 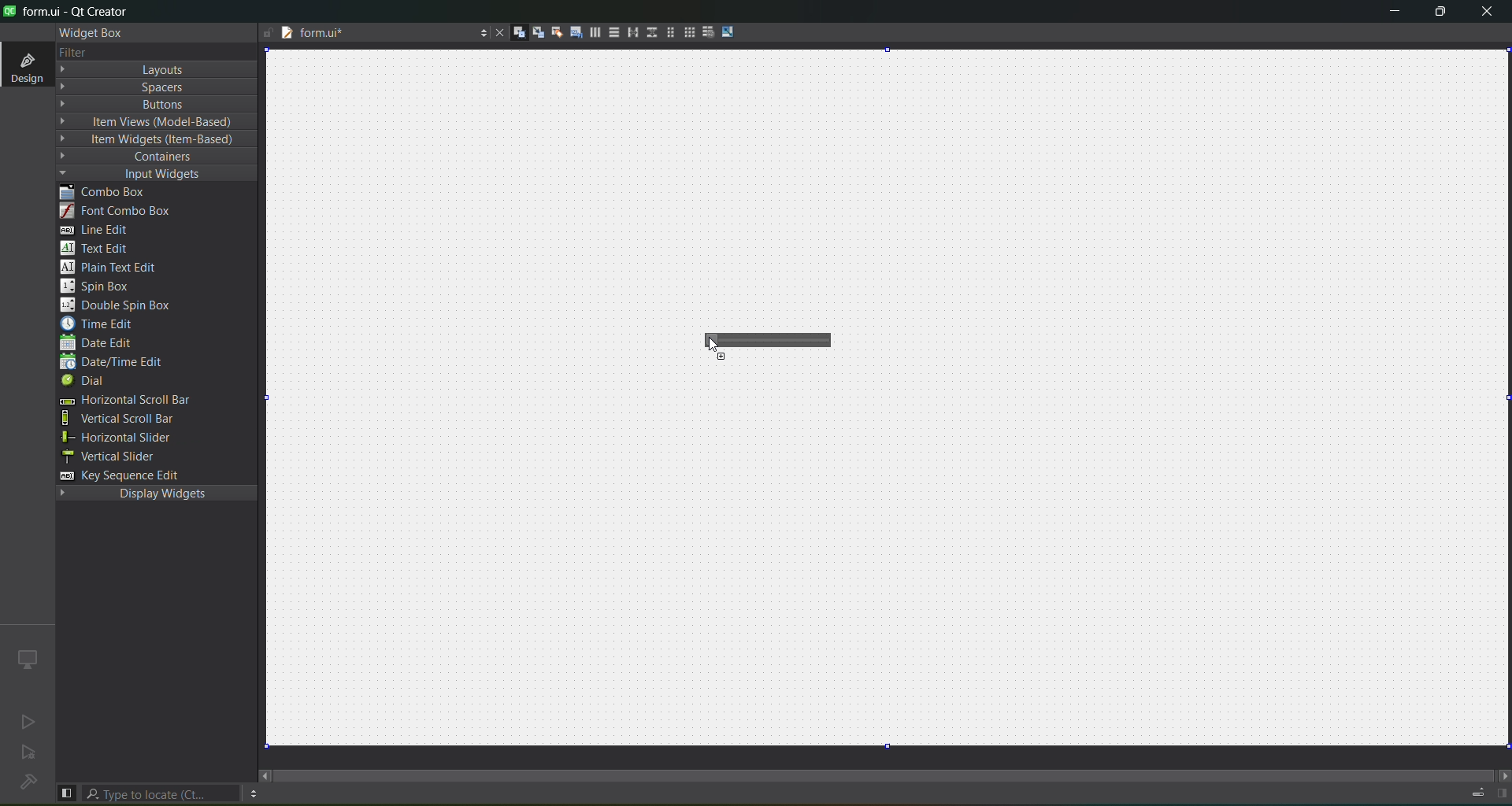 I want to click on buddies, so click(x=551, y=33).